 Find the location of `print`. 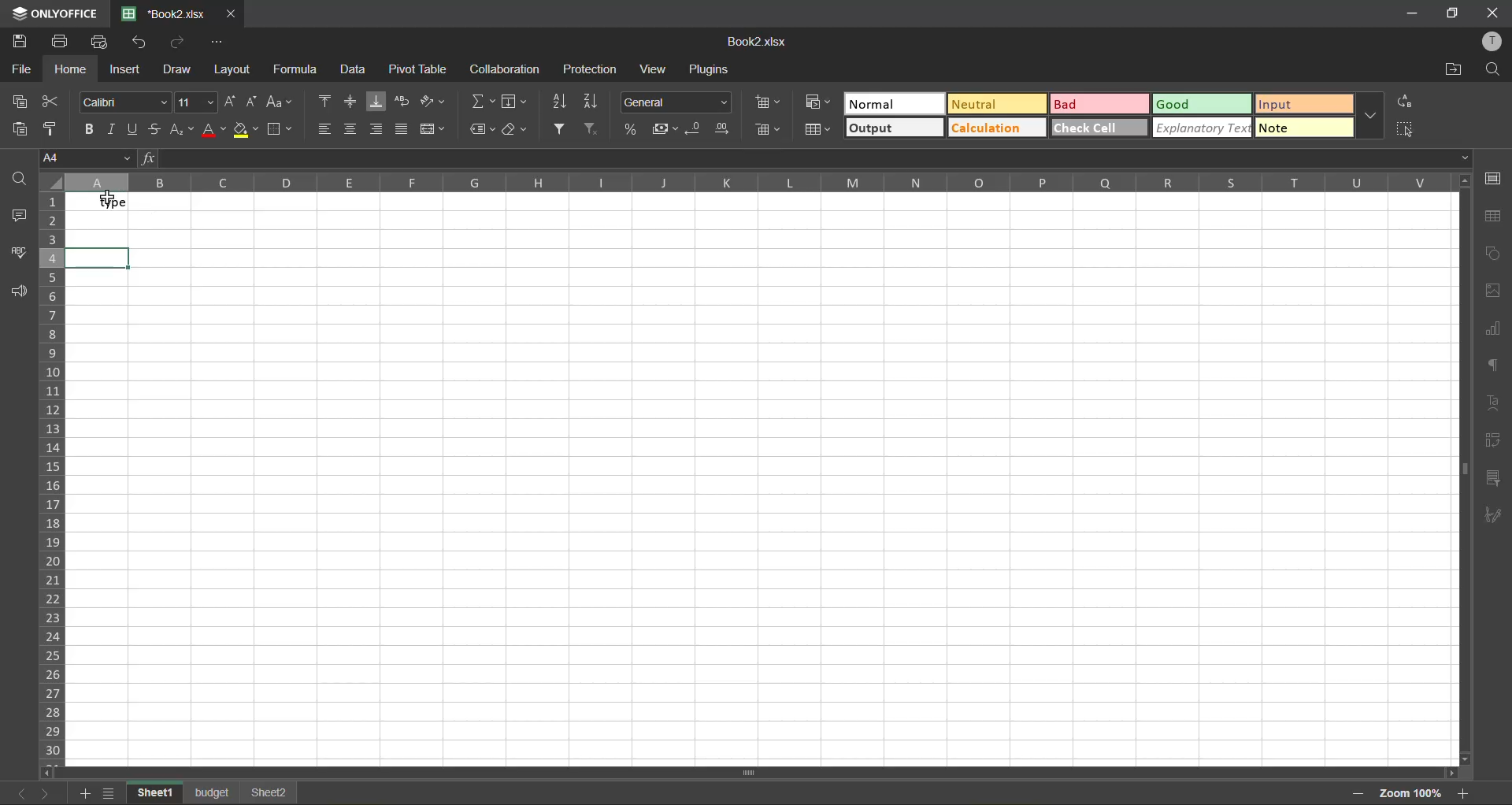

print is located at coordinates (65, 42).